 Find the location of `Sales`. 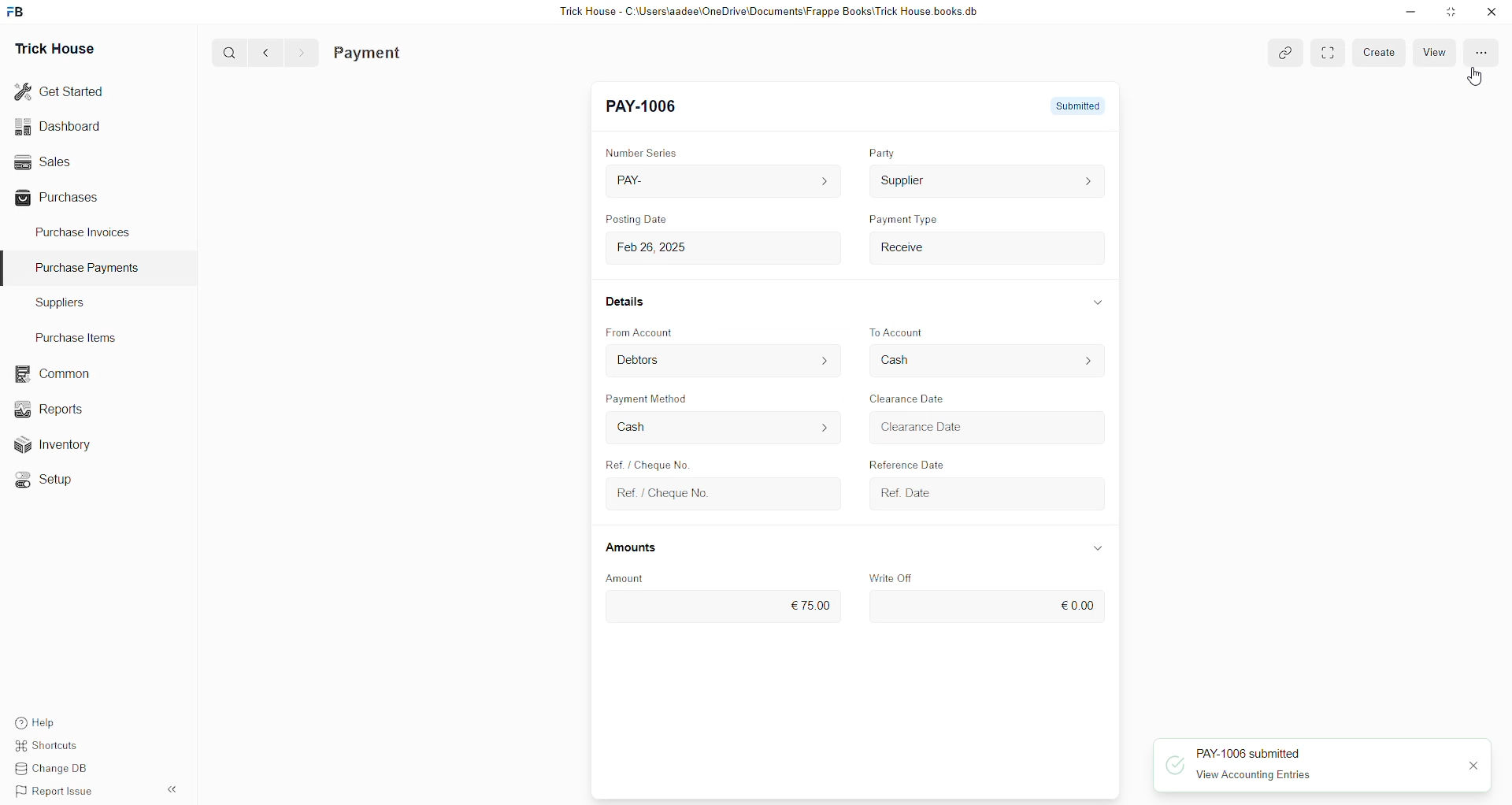

Sales is located at coordinates (45, 161).